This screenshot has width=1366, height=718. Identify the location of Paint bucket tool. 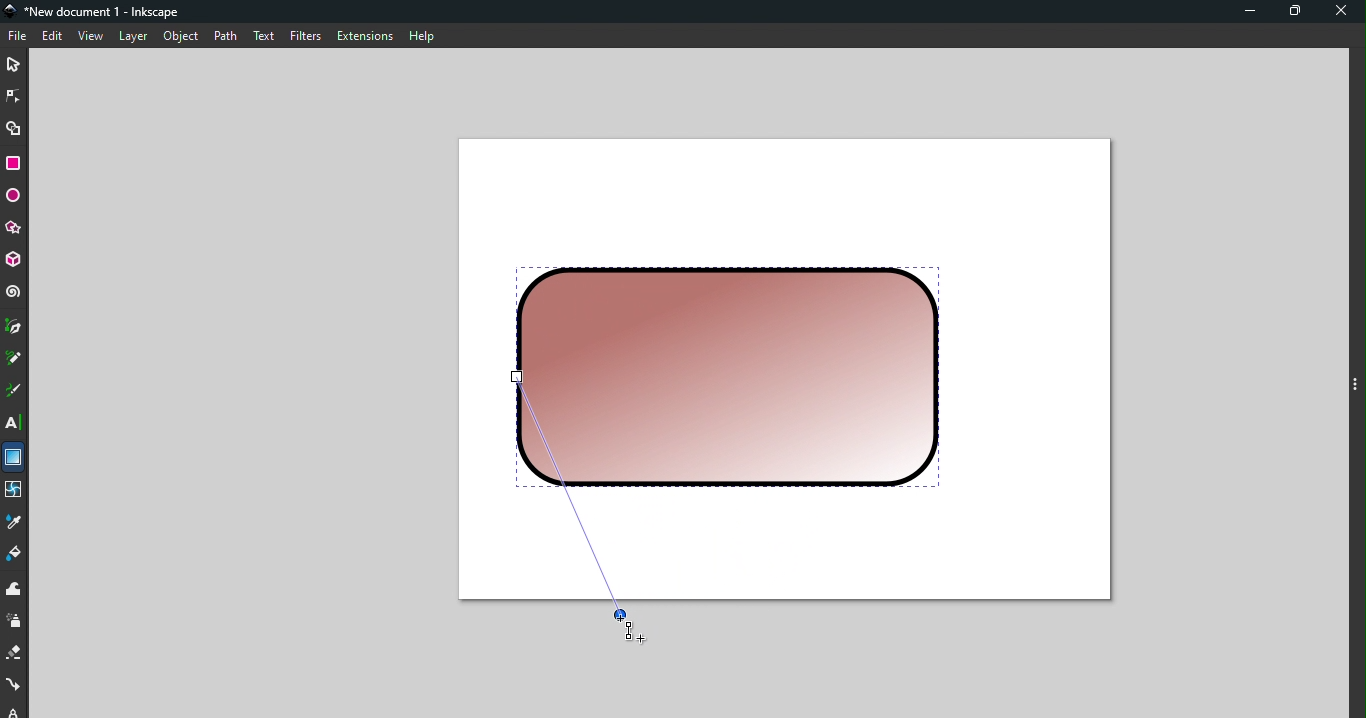
(18, 557).